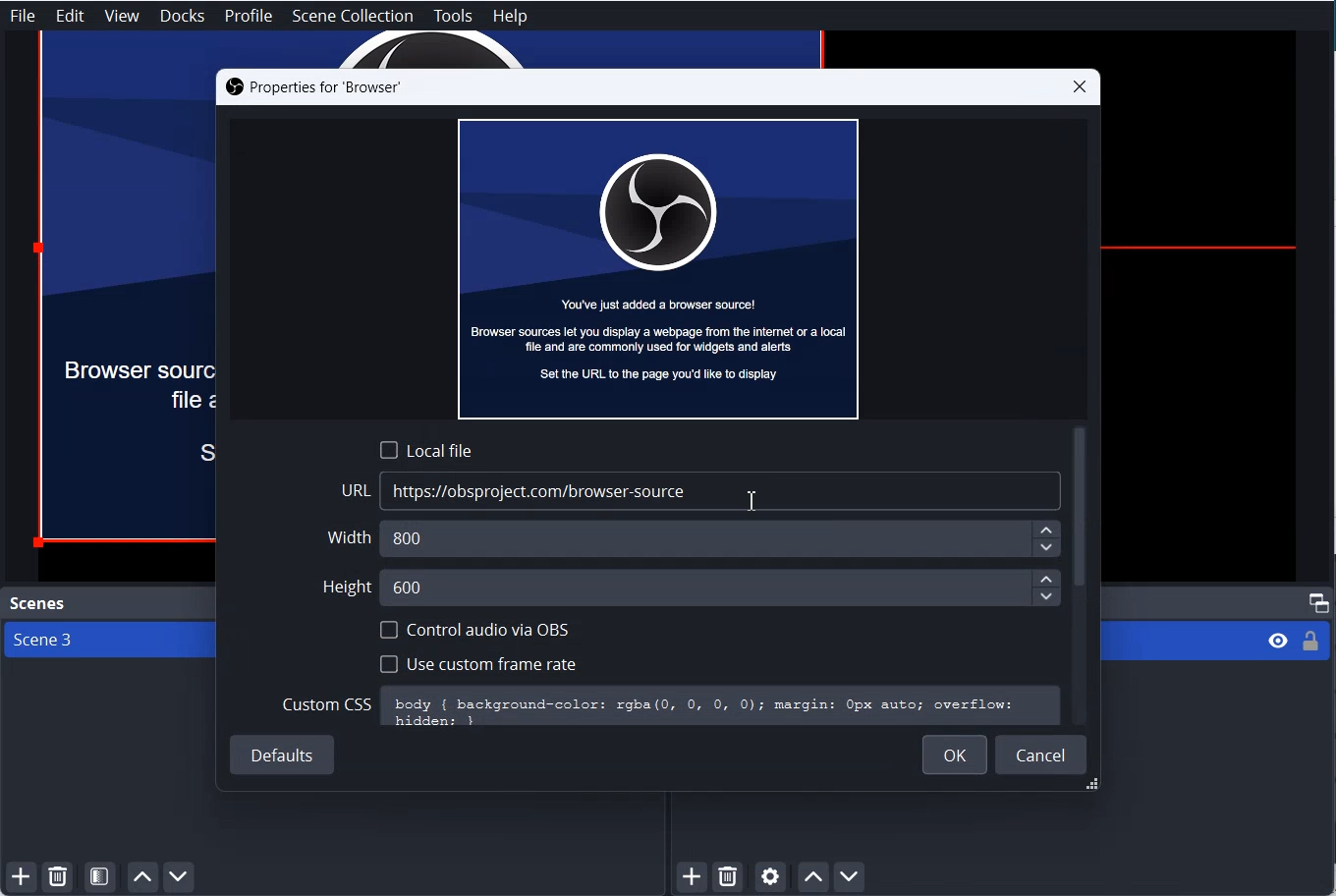  Describe the element at coordinates (354, 16) in the screenshot. I see `Scene Collection` at that location.